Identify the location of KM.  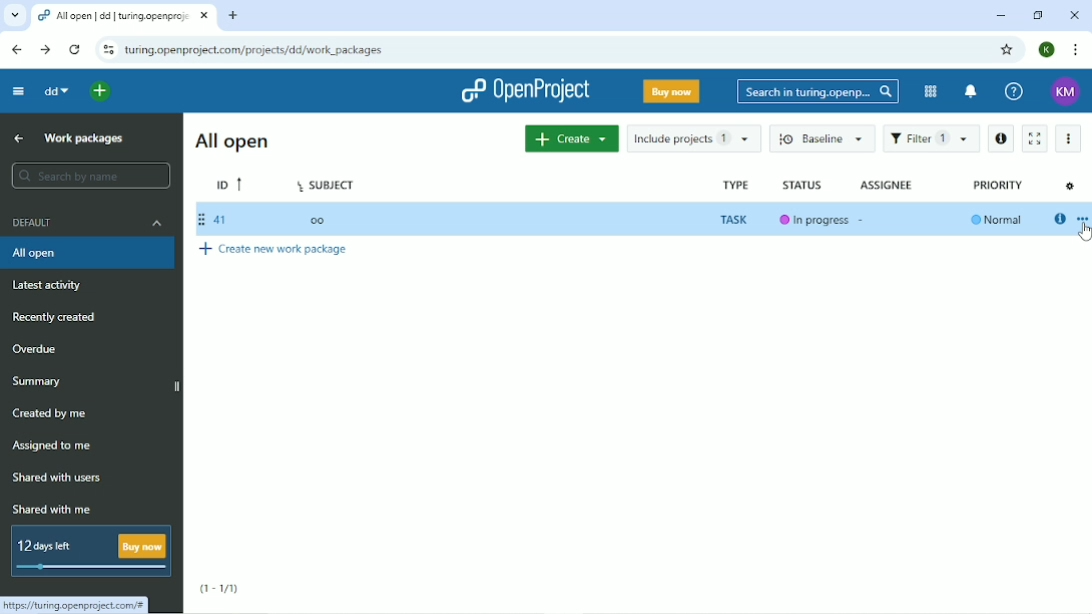
(1067, 91).